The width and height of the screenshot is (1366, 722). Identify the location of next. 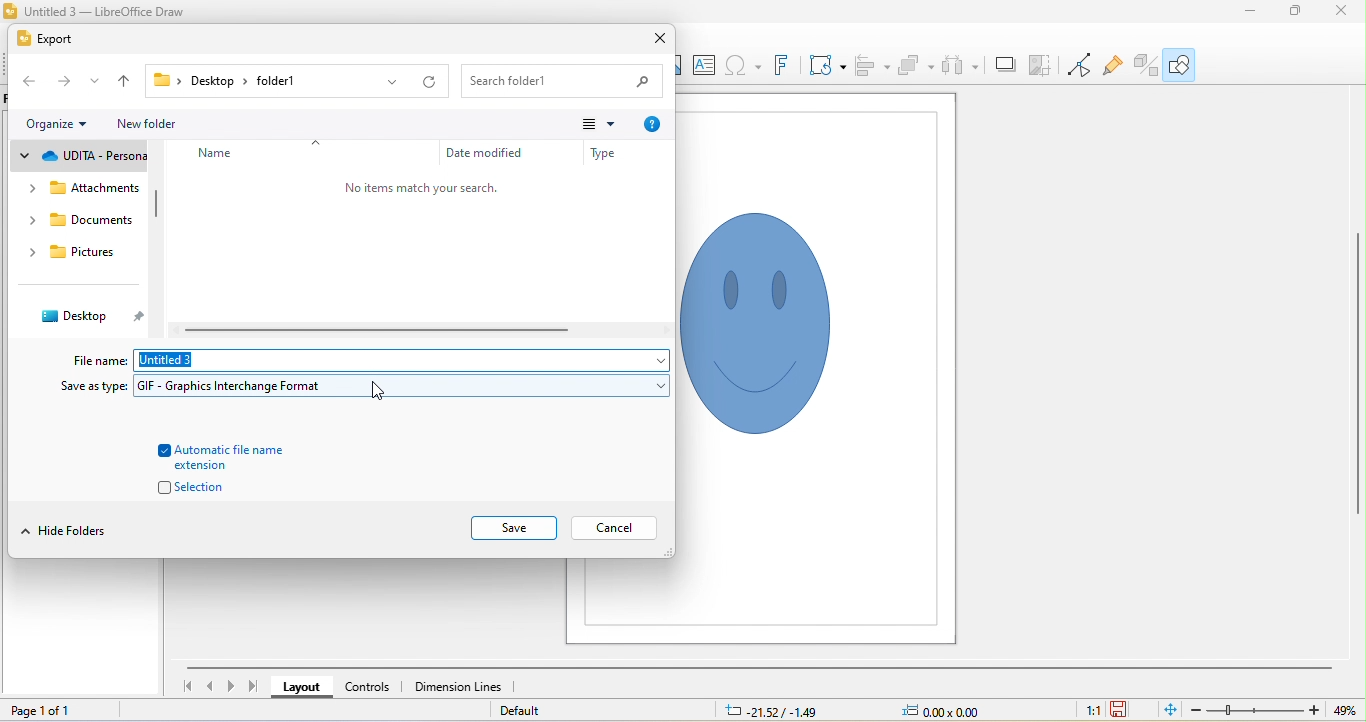
(231, 687).